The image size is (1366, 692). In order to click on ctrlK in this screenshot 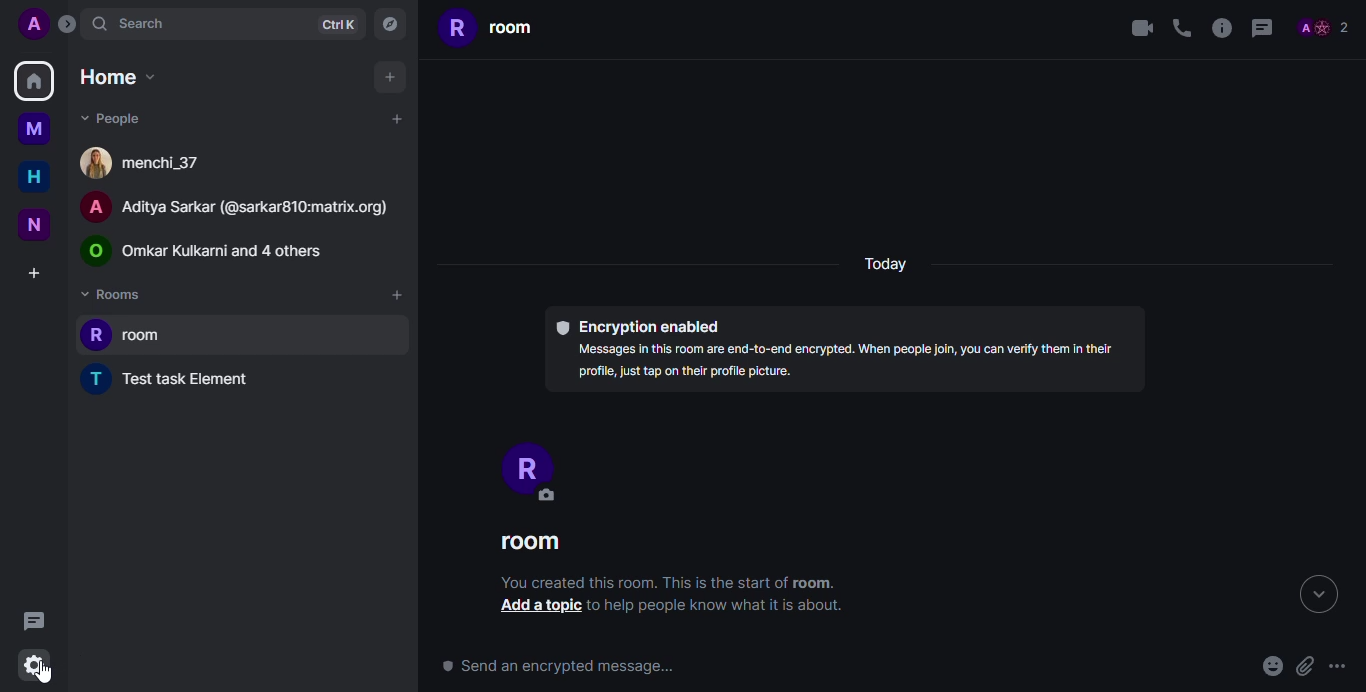, I will do `click(338, 24)`.